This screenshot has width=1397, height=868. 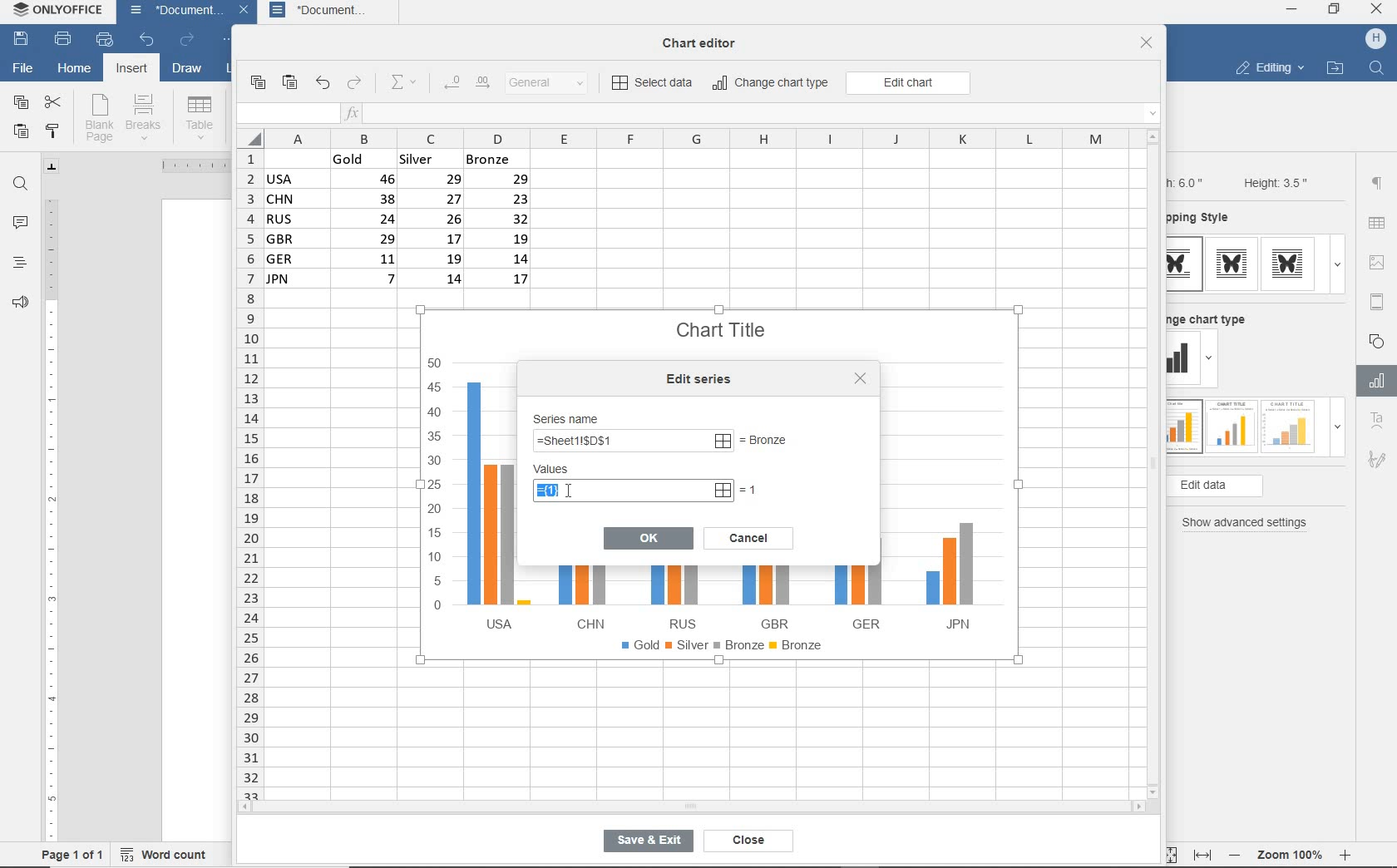 I want to click on type 1, so click(x=1185, y=264).